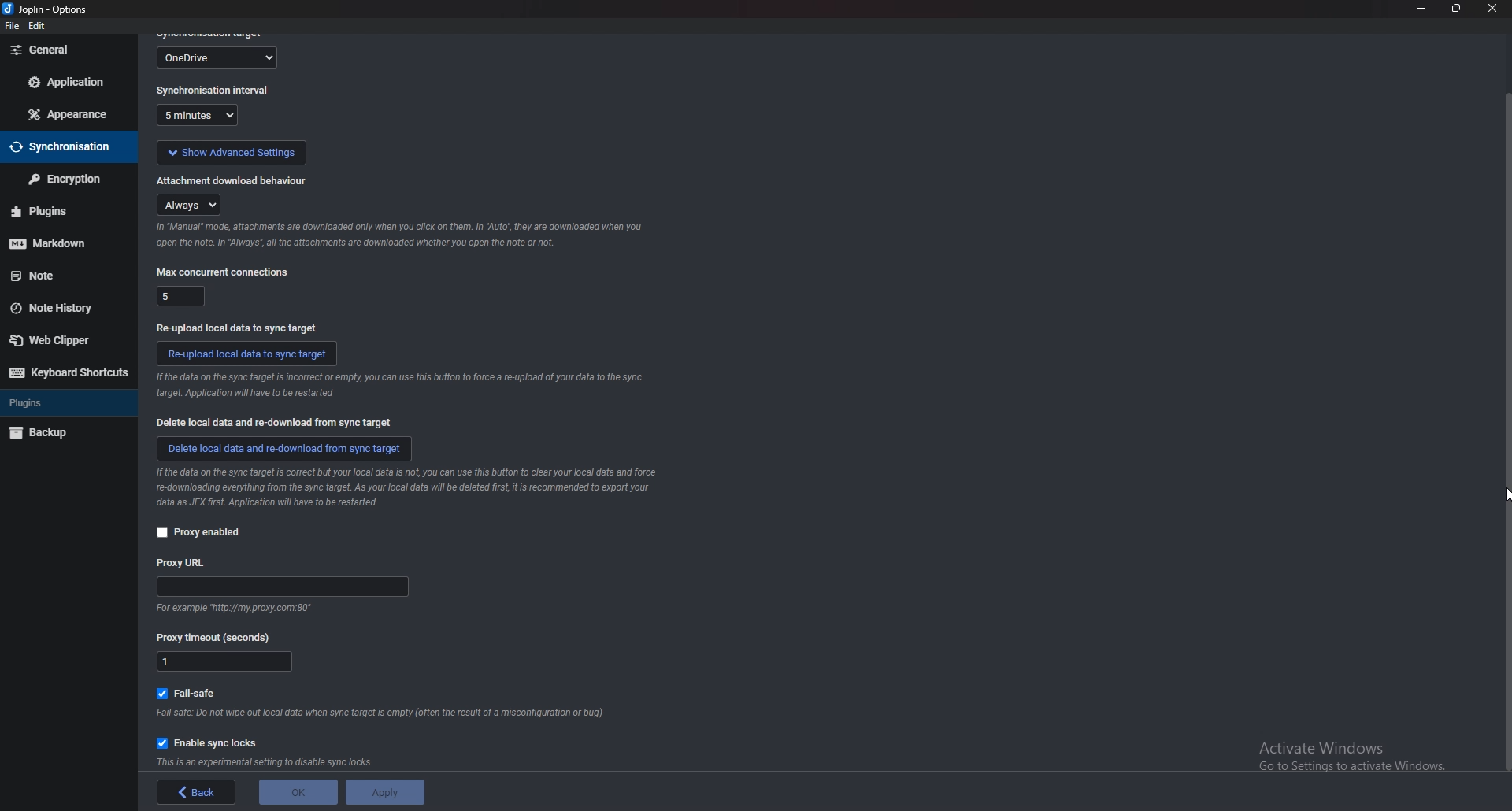 The height and width of the screenshot is (811, 1512). What do you see at coordinates (183, 562) in the screenshot?
I see `proxy url` at bounding box center [183, 562].